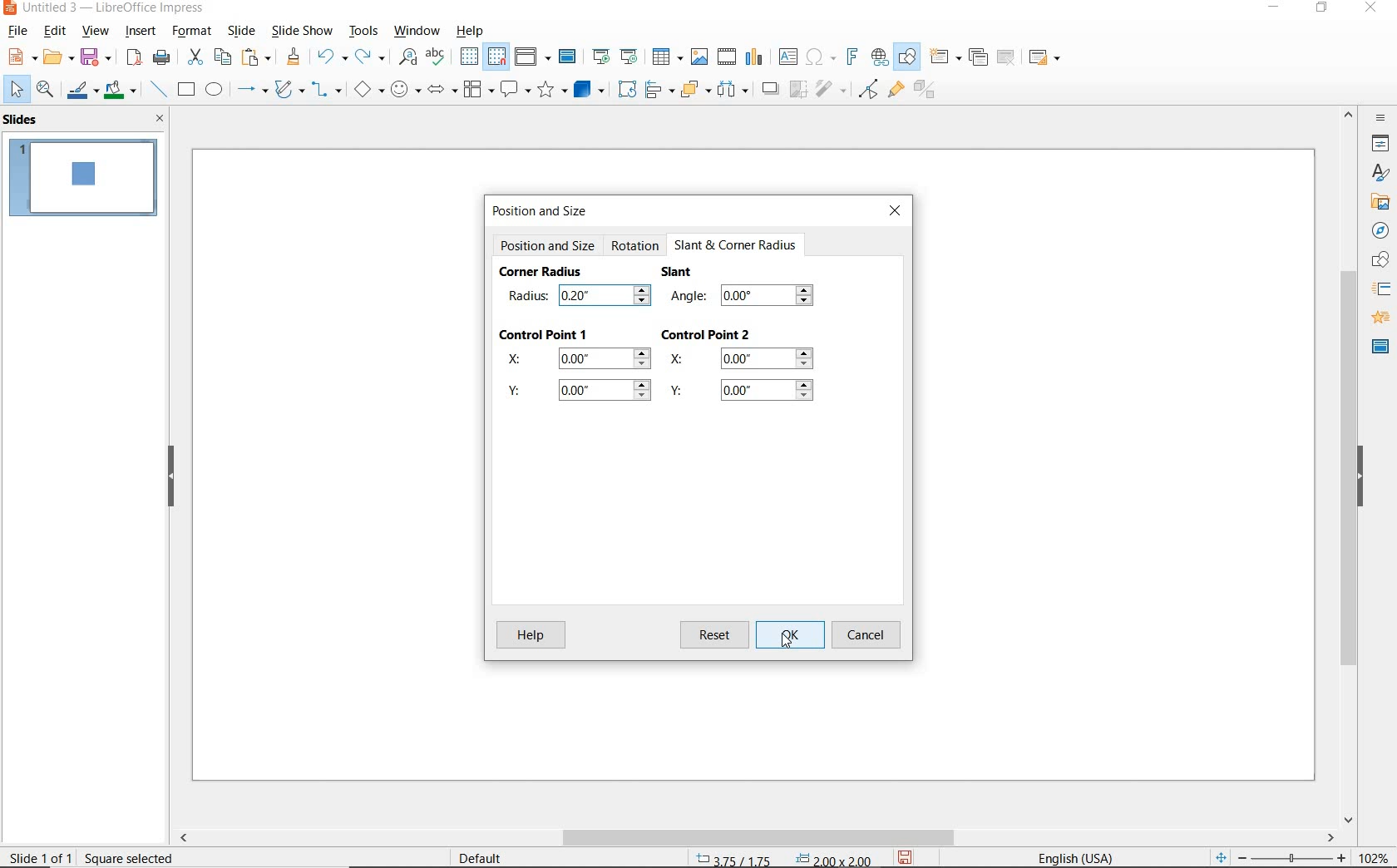 The image size is (1397, 868). I want to click on rotate, so click(626, 90).